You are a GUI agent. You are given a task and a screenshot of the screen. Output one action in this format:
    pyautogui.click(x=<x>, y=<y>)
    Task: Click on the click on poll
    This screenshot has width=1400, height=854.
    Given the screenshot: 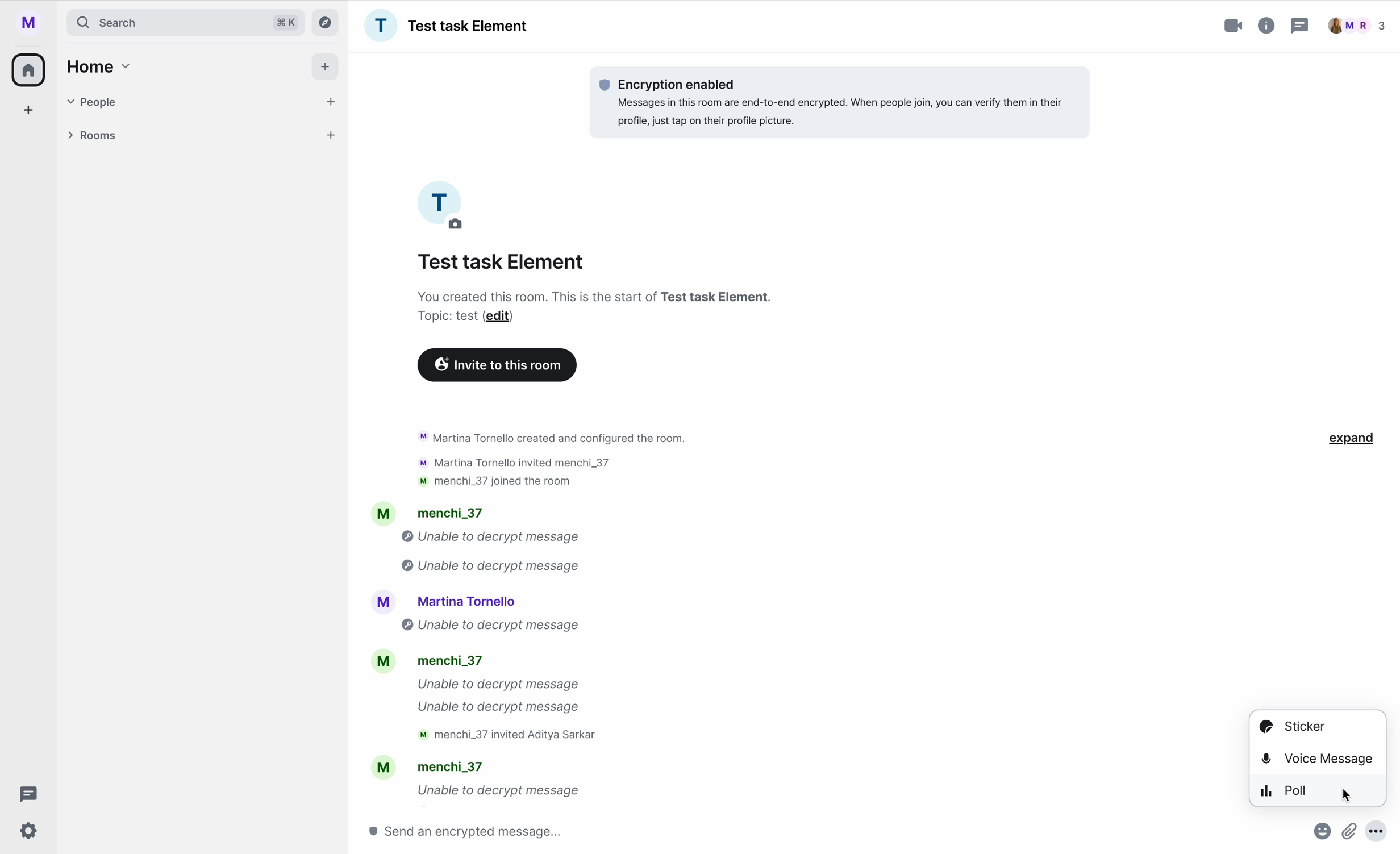 What is the action you would take?
    pyautogui.click(x=1319, y=791)
    